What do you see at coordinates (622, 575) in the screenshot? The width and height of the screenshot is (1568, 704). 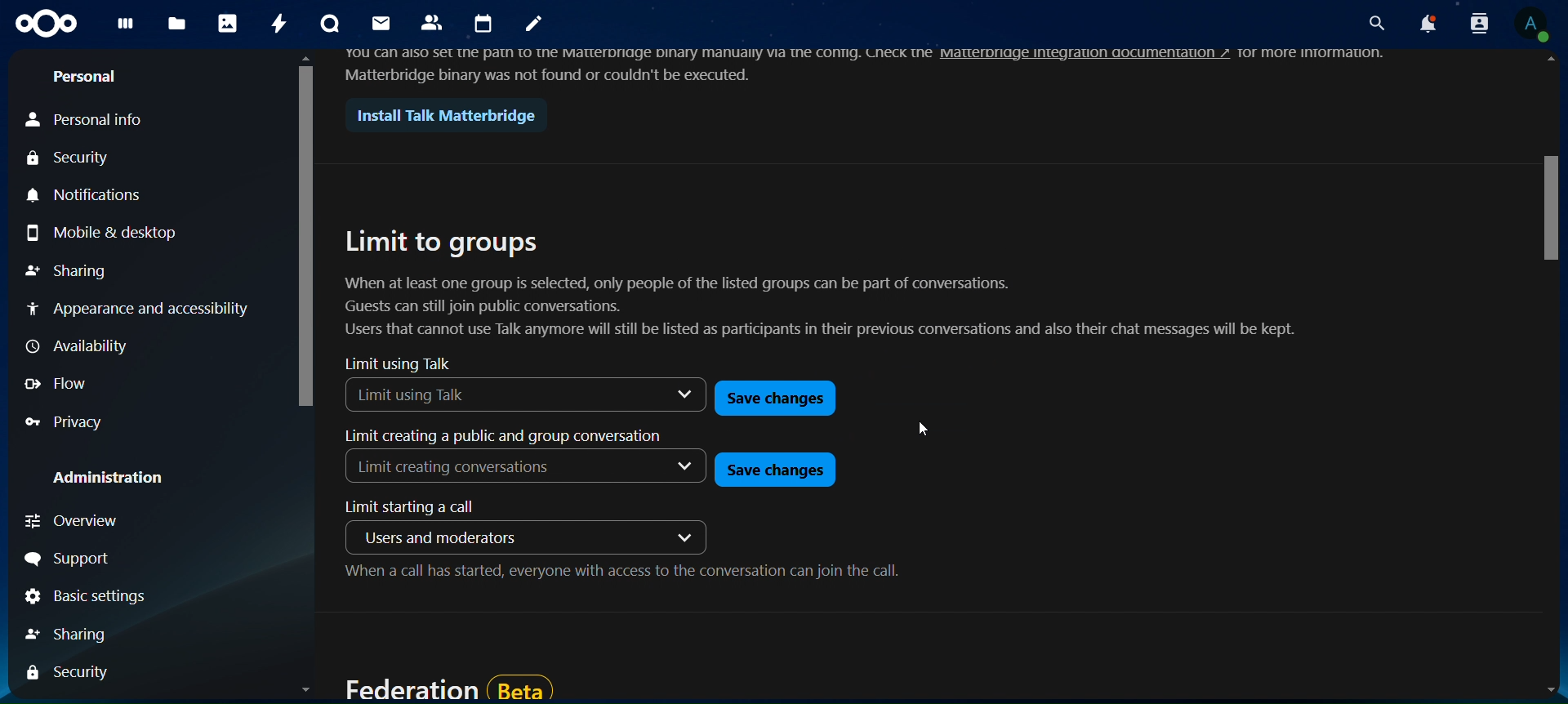 I see `When a call has started, everyone with access to the conversation can join the call.` at bounding box center [622, 575].